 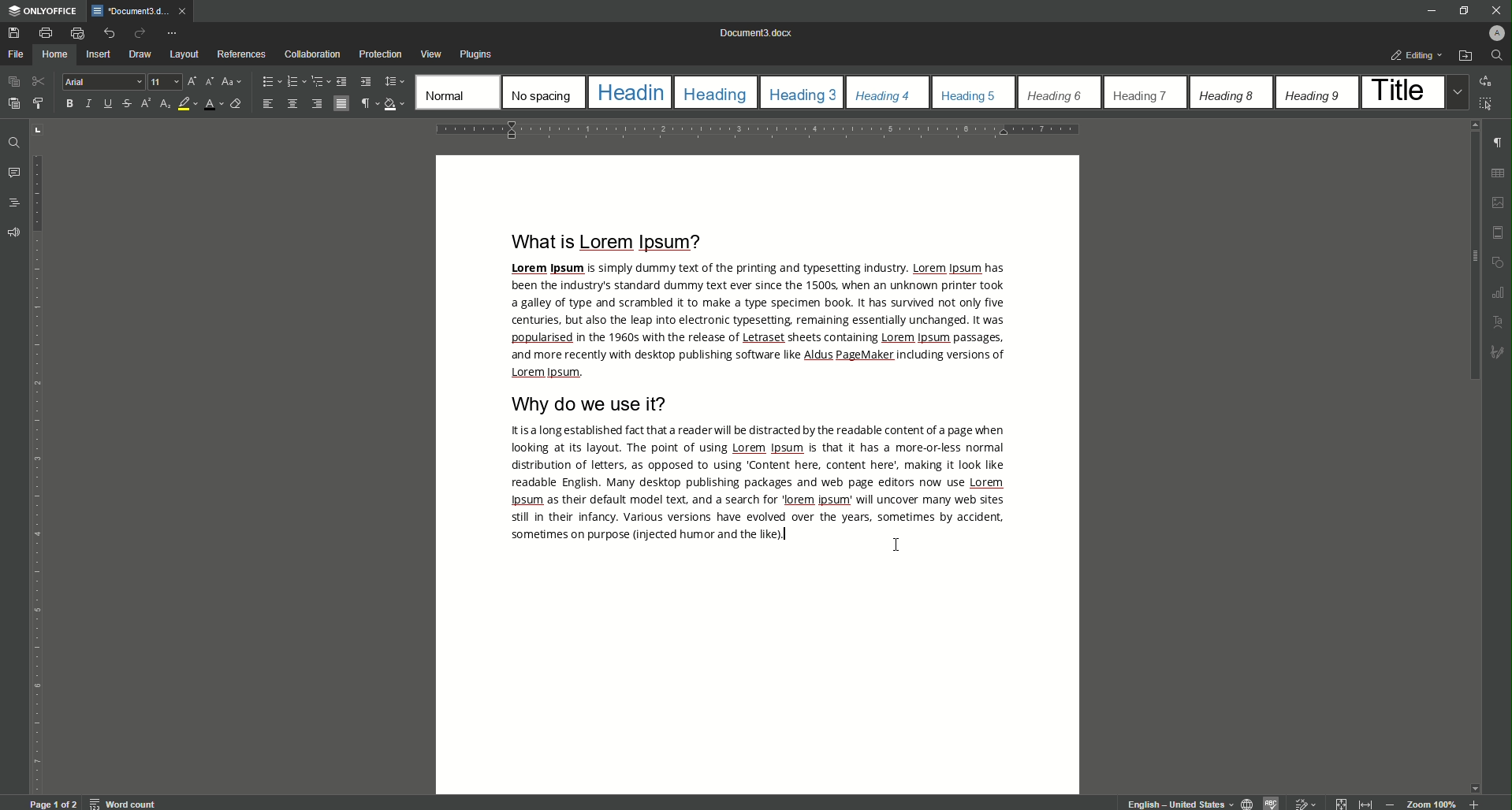 What do you see at coordinates (1502, 139) in the screenshot?
I see `paragraph check` at bounding box center [1502, 139].